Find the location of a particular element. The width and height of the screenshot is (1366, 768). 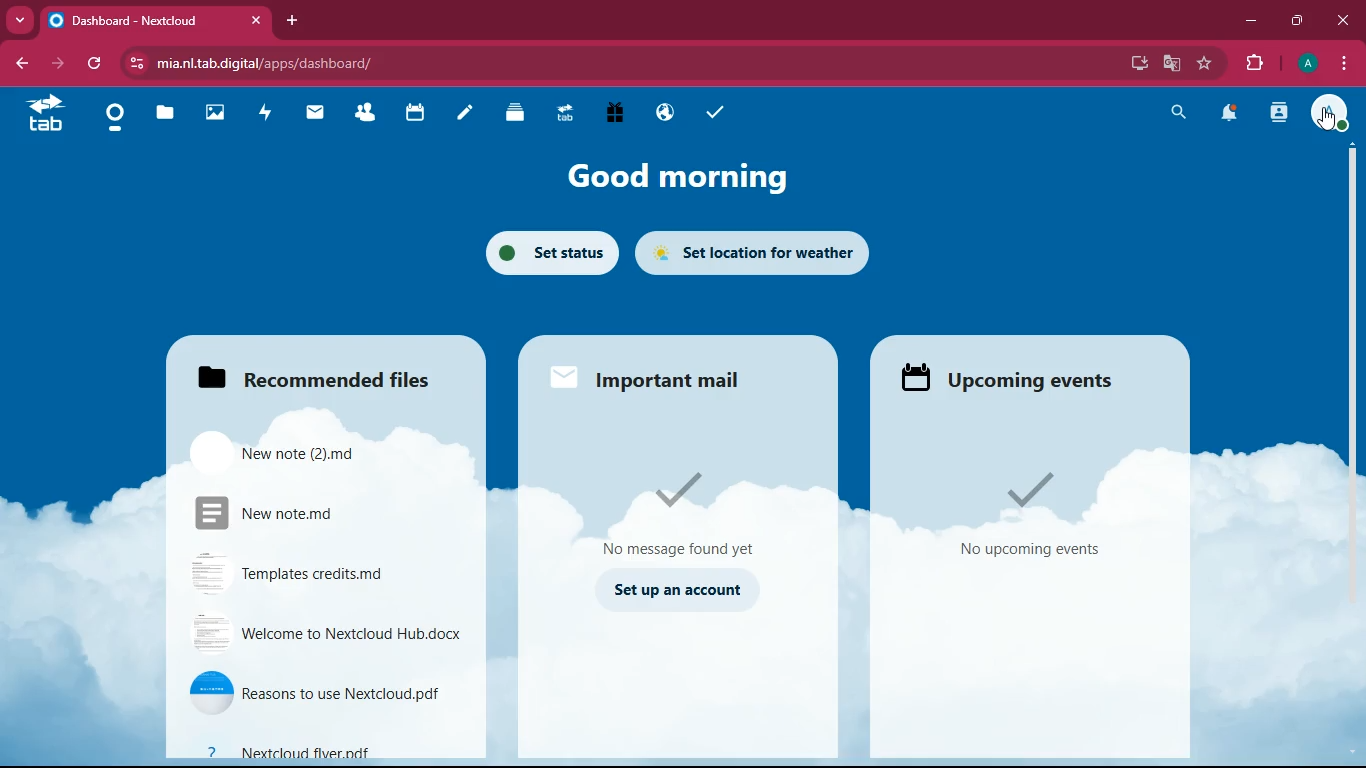

view site information is located at coordinates (139, 64).